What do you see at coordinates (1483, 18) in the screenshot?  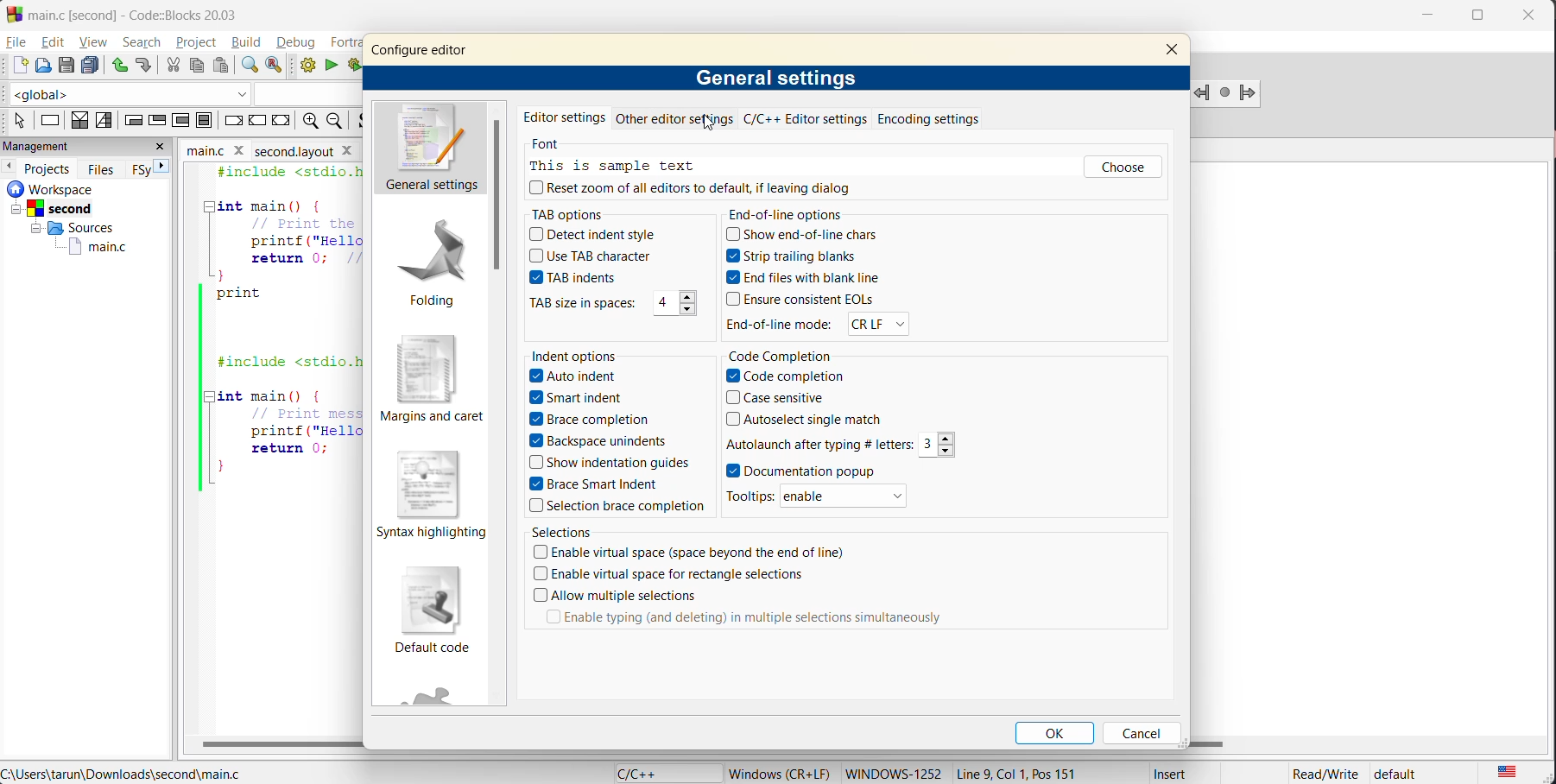 I see `maximize` at bounding box center [1483, 18].